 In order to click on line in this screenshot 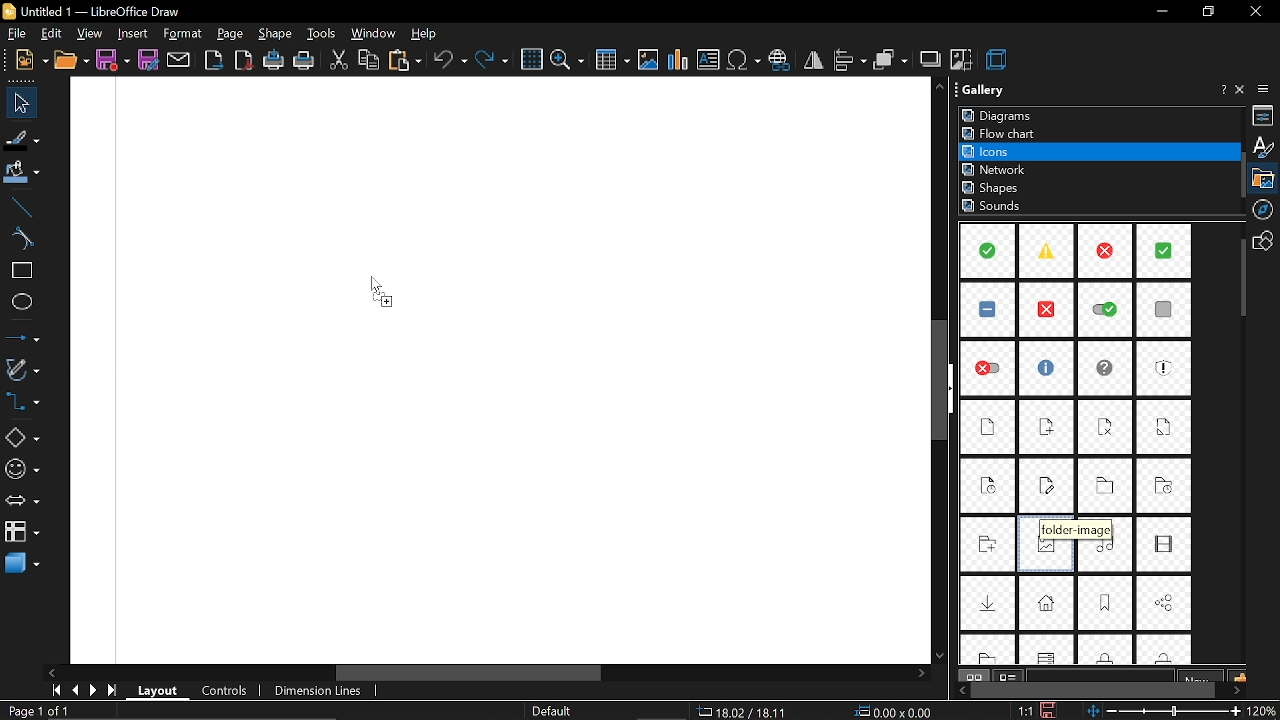, I will do `click(18, 204)`.